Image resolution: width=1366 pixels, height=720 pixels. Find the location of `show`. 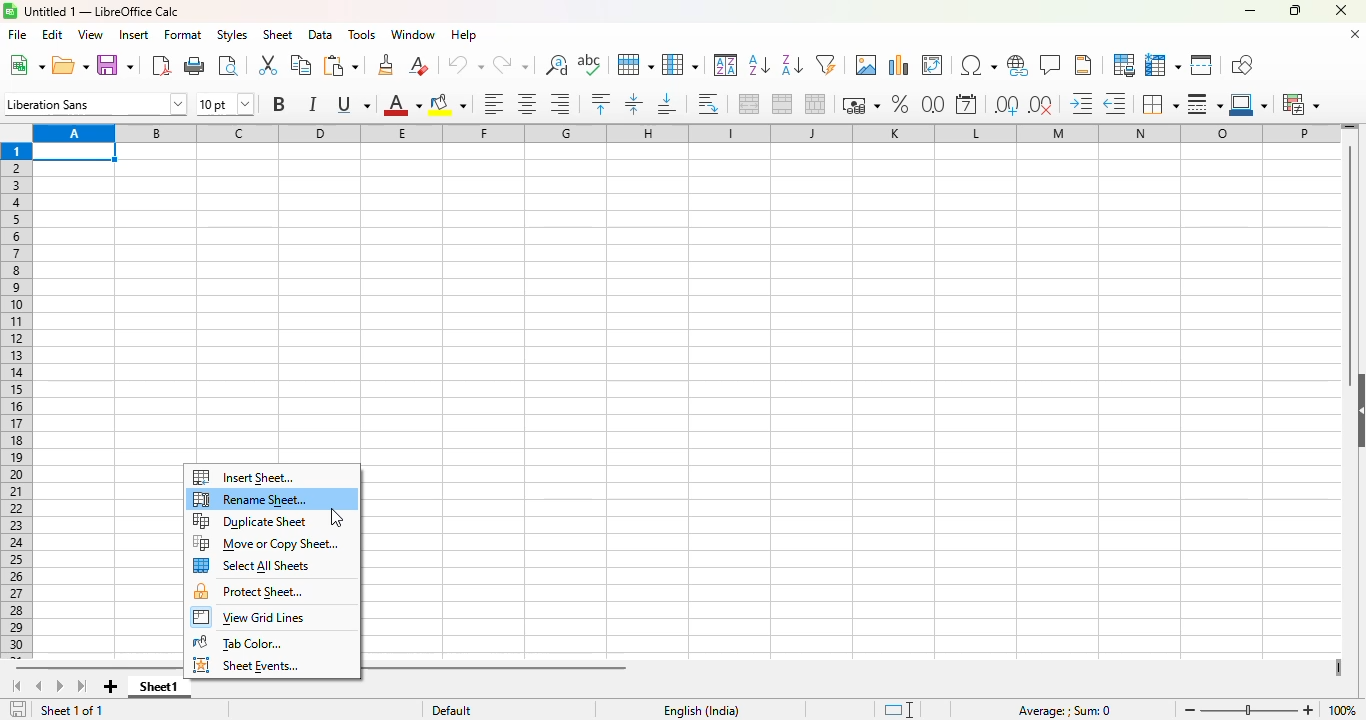

show is located at coordinates (1357, 410).